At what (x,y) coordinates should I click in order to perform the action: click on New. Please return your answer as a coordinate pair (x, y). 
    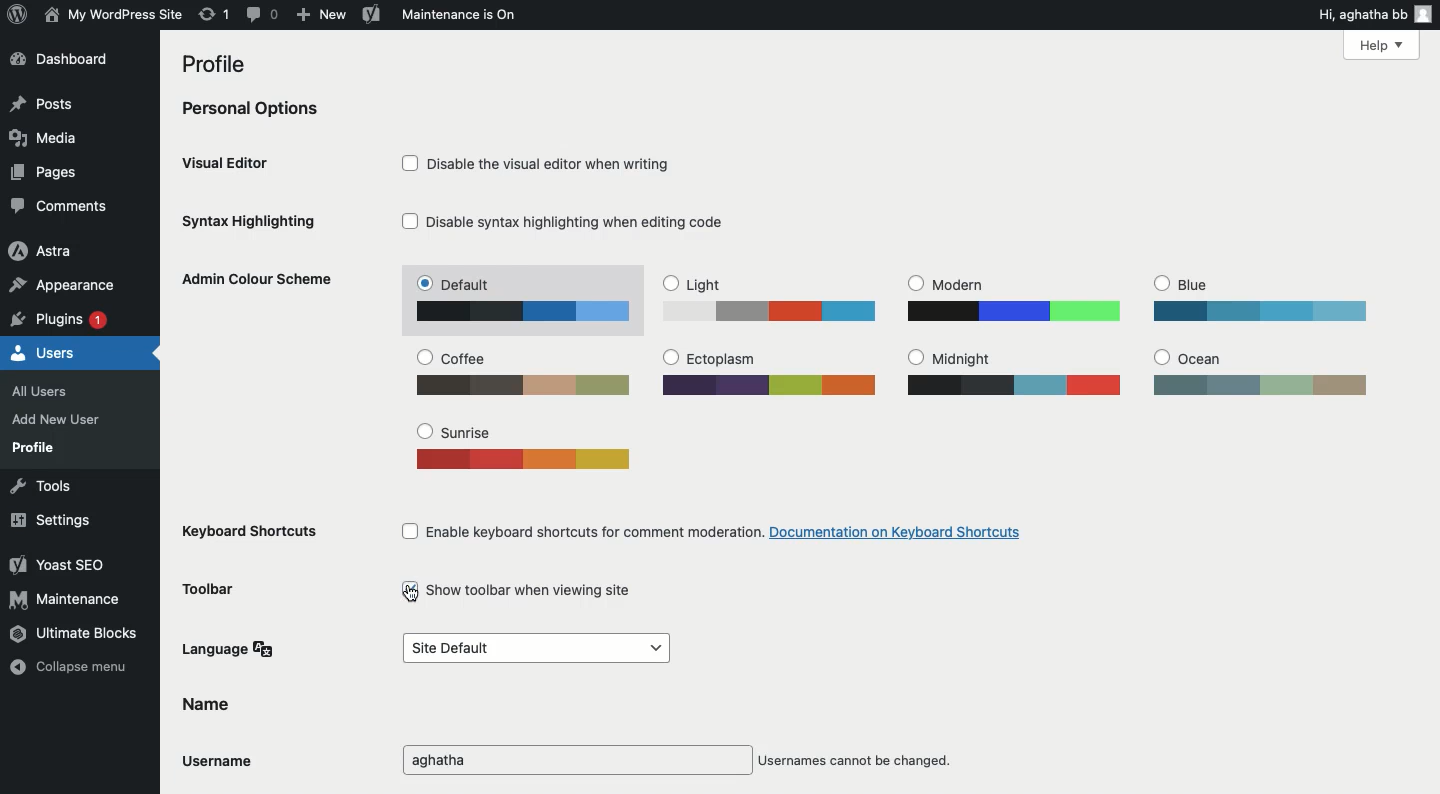
    Looking at the image, I should click on (322, 15).